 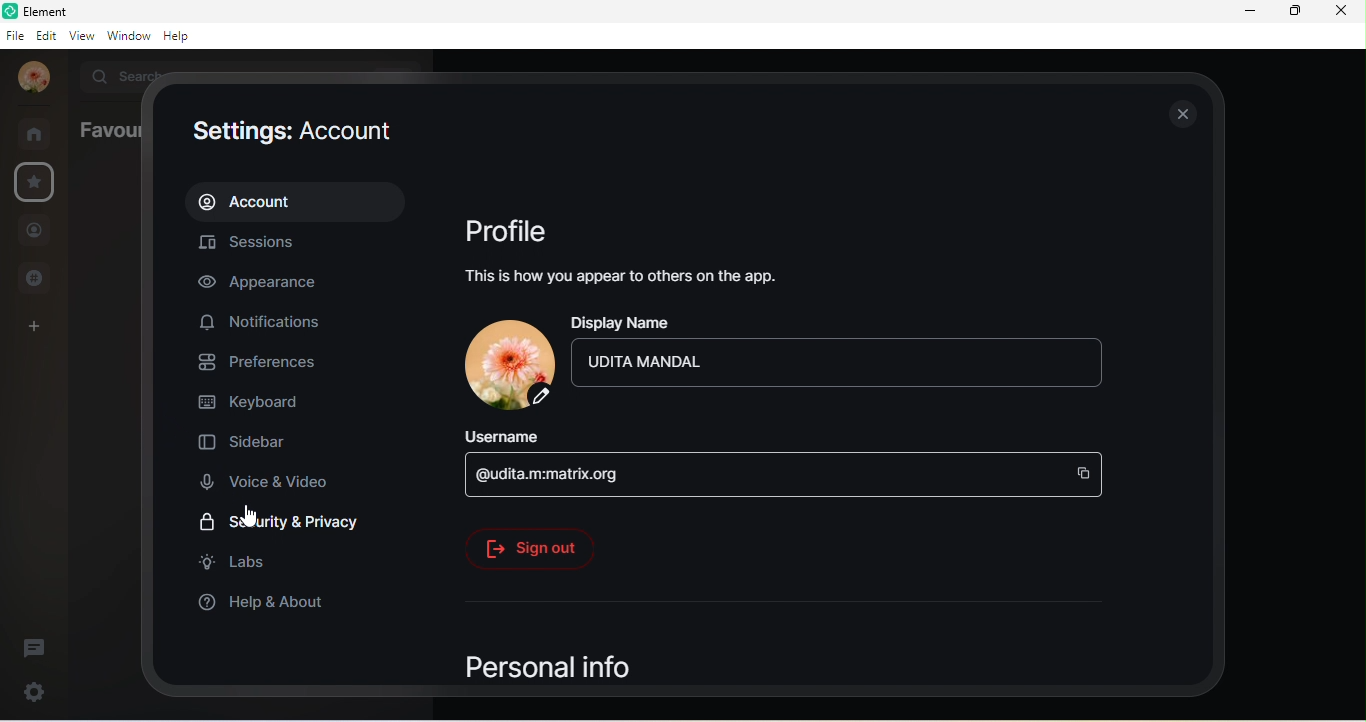 What do you see at coordinates (14, 36) in the screenshot?
I see `file` at bounding box center [14, 36].